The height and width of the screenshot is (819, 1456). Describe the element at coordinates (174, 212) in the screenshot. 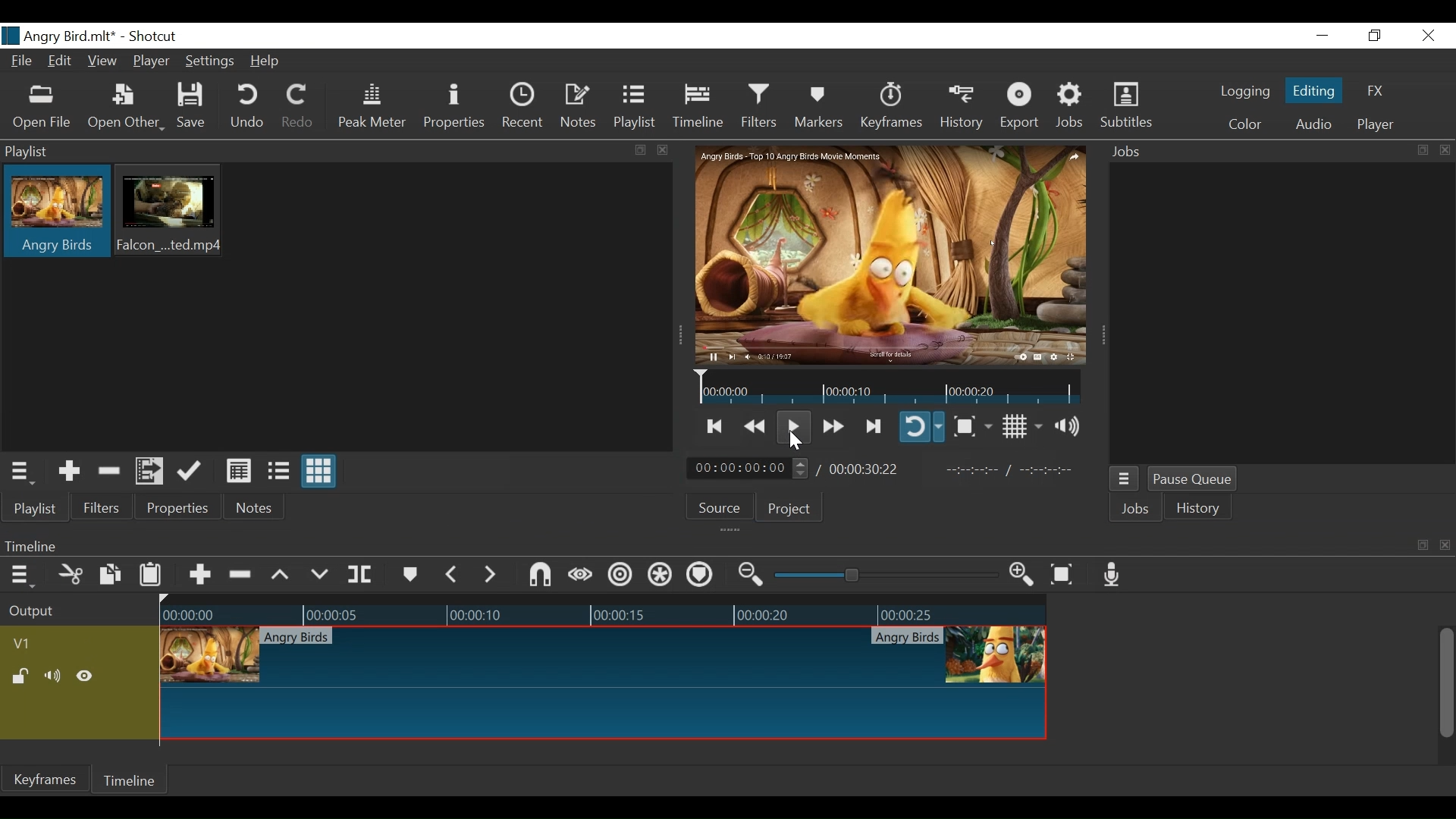

I see `Clip` at that location.